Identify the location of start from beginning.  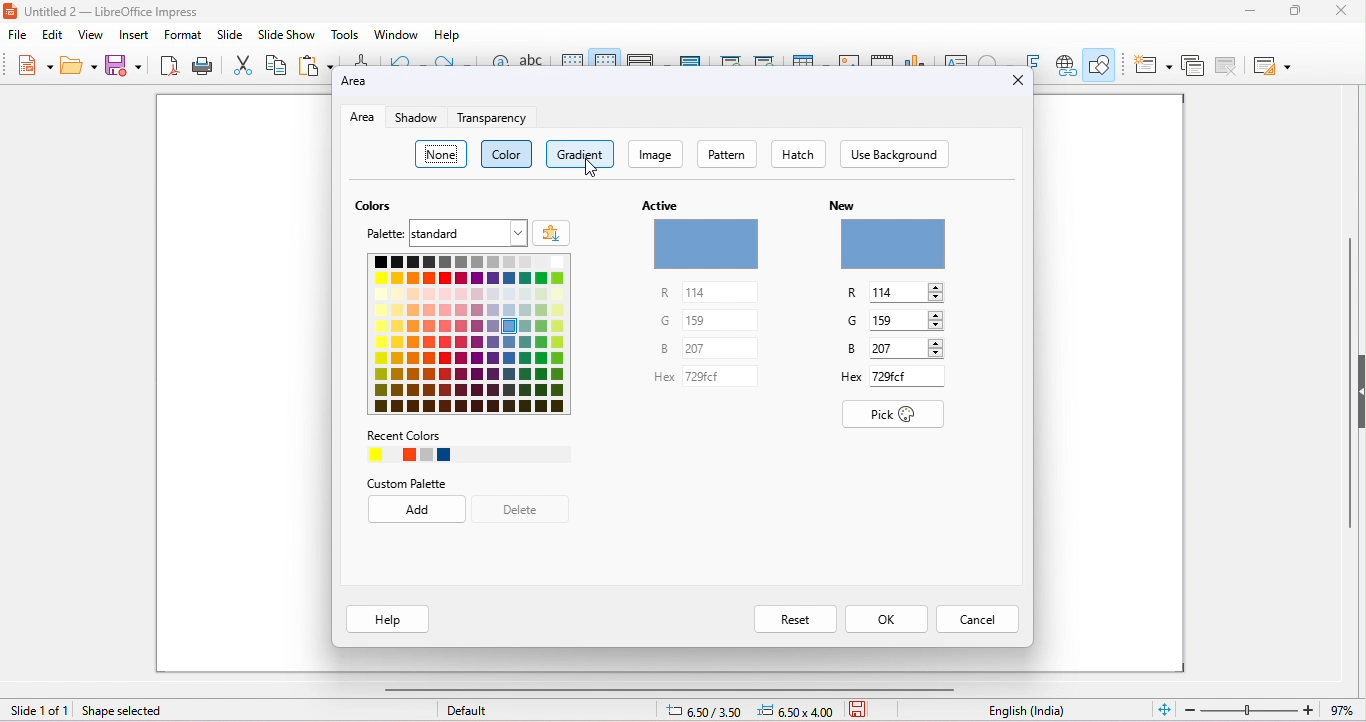
(729, 58).